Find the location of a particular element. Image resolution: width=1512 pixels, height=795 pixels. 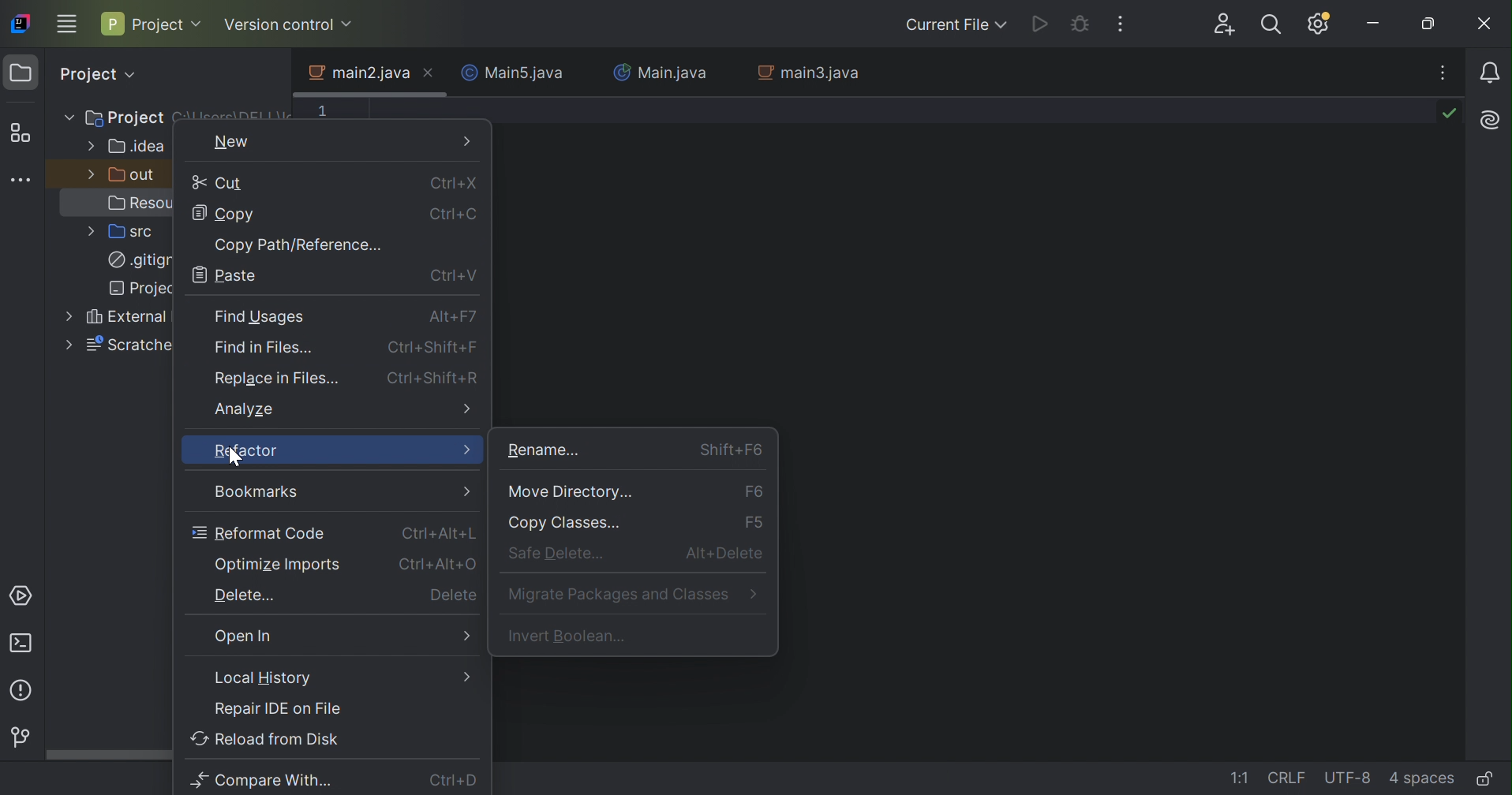

More is located at coordinates (464, 450).